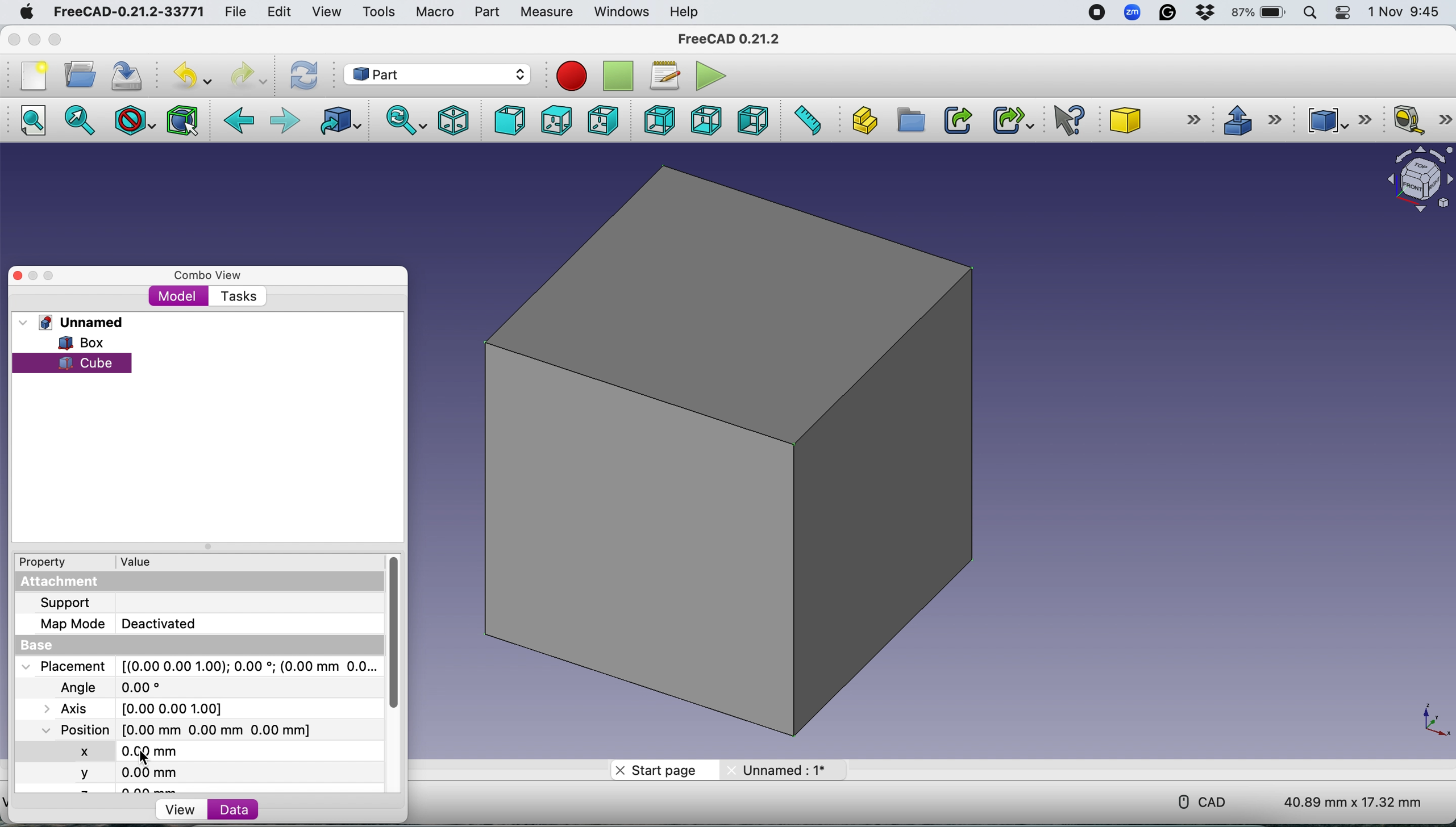 Image resolution: width=1456 pixels, height=827 pixels. I want to click on Open, so click(80, 74).